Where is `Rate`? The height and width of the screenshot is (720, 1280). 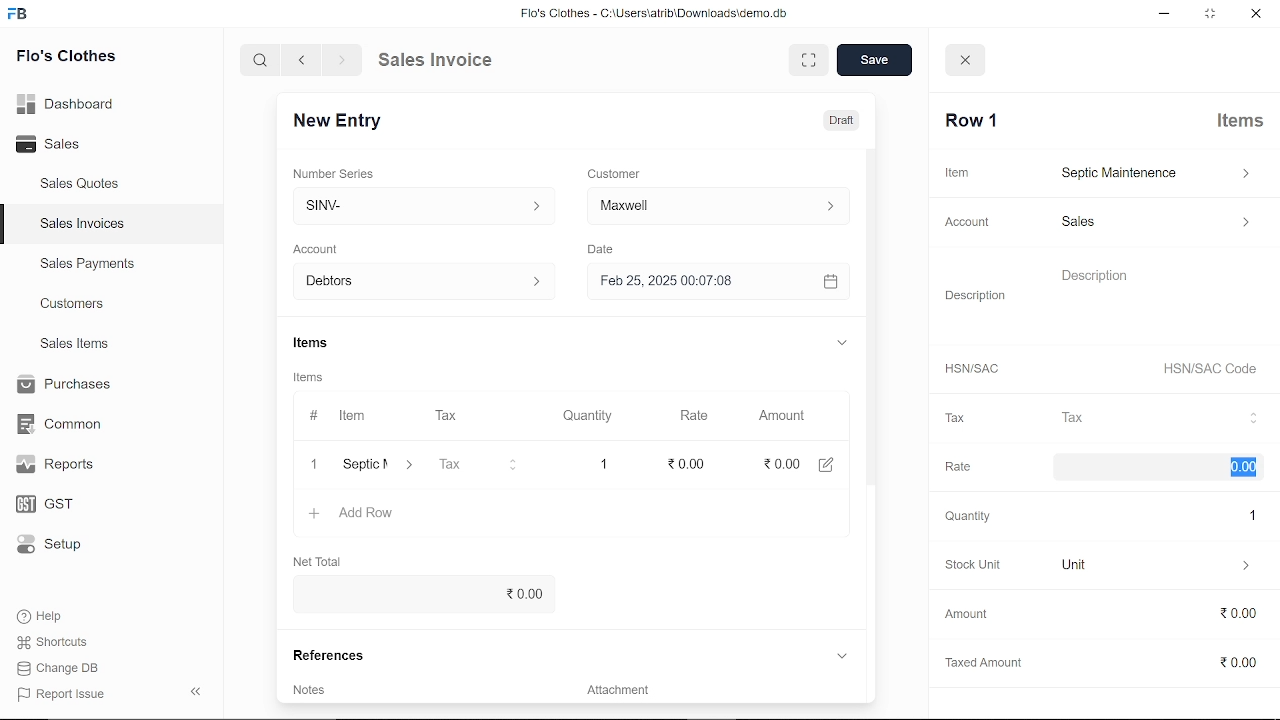 Rate is located at coordinates (954, 464).